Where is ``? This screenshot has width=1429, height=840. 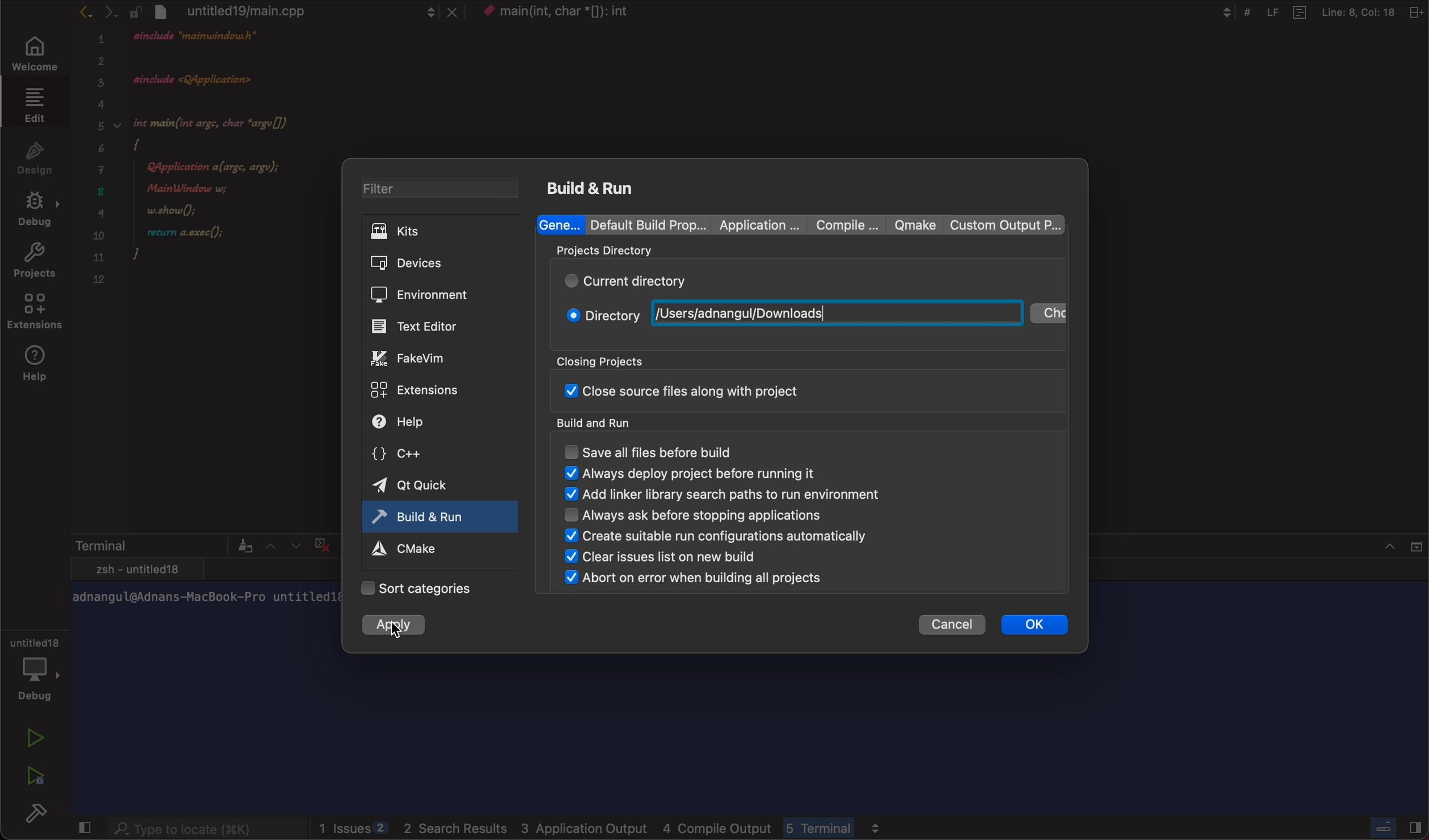
 is located at coordinates (1313, 11).